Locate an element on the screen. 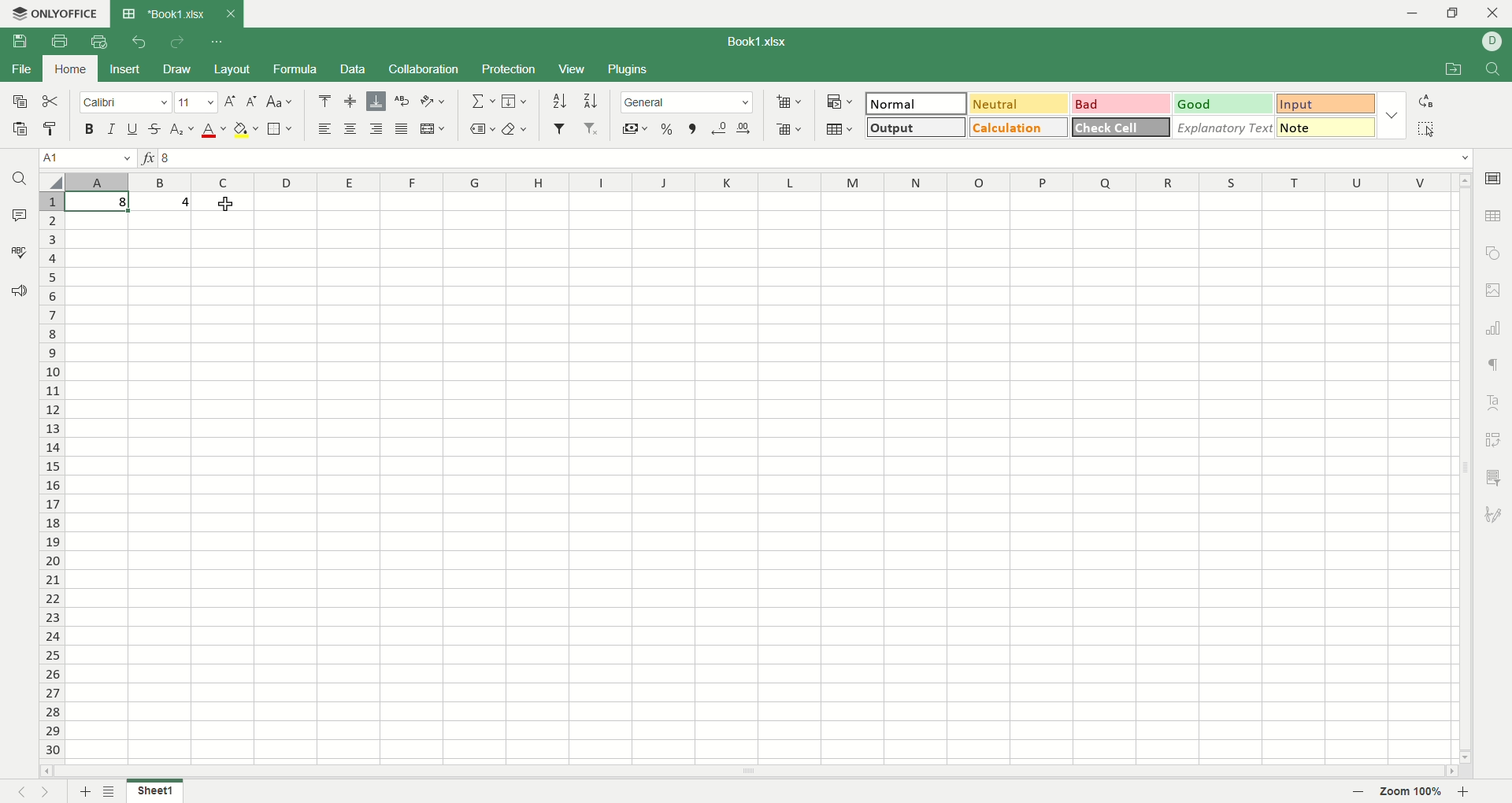 The image size is (1512, 803). comment is located at coordinates (17, 213).